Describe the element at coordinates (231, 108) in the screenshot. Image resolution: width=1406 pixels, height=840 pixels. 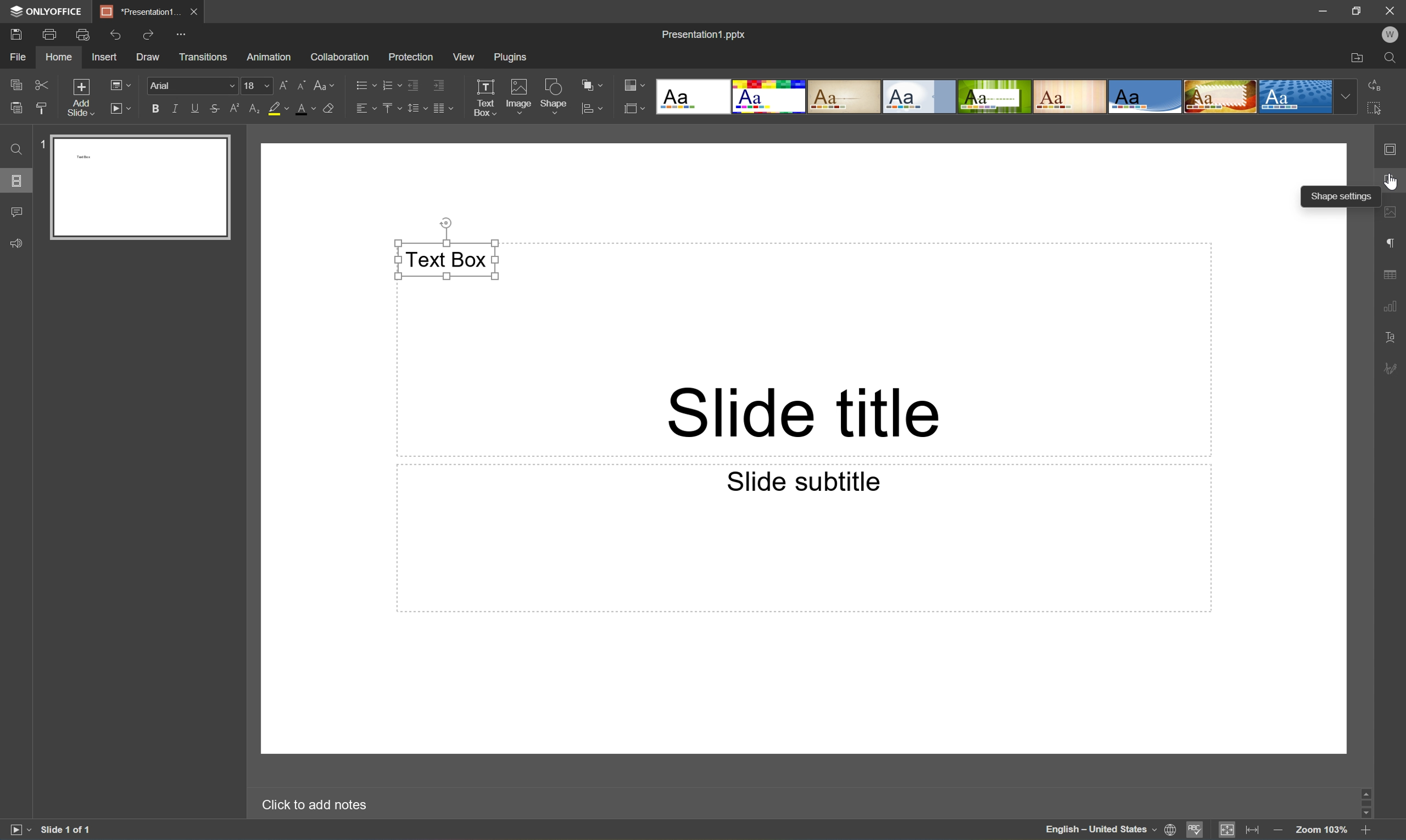
I see `Superscript` at that location.